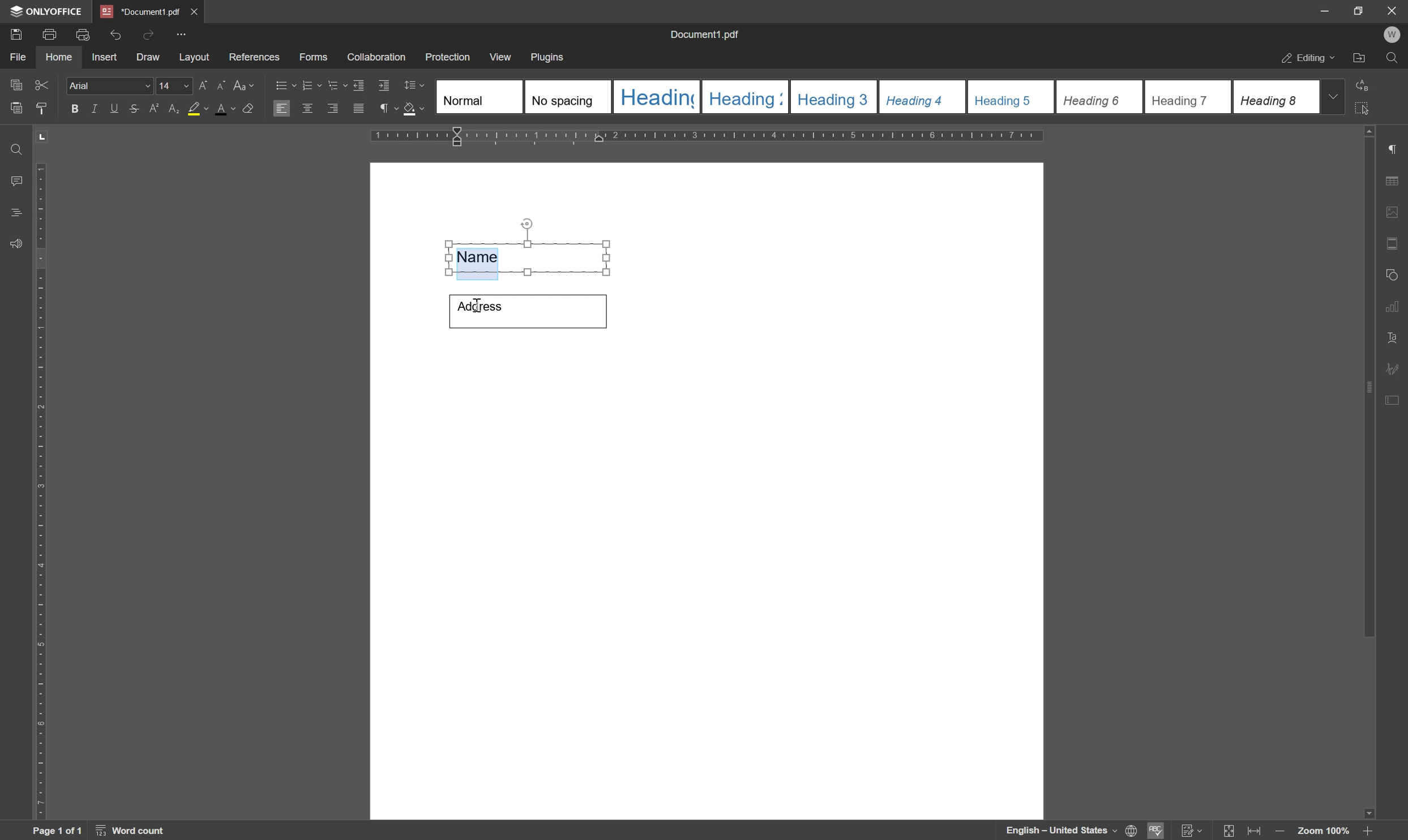 Image resolution: width=1408 pixels, height=840 pixels. What do you see at coordinates (1228, 831) in the screenshot?
I see `fit to slide` at bounding box center [1228, 831].